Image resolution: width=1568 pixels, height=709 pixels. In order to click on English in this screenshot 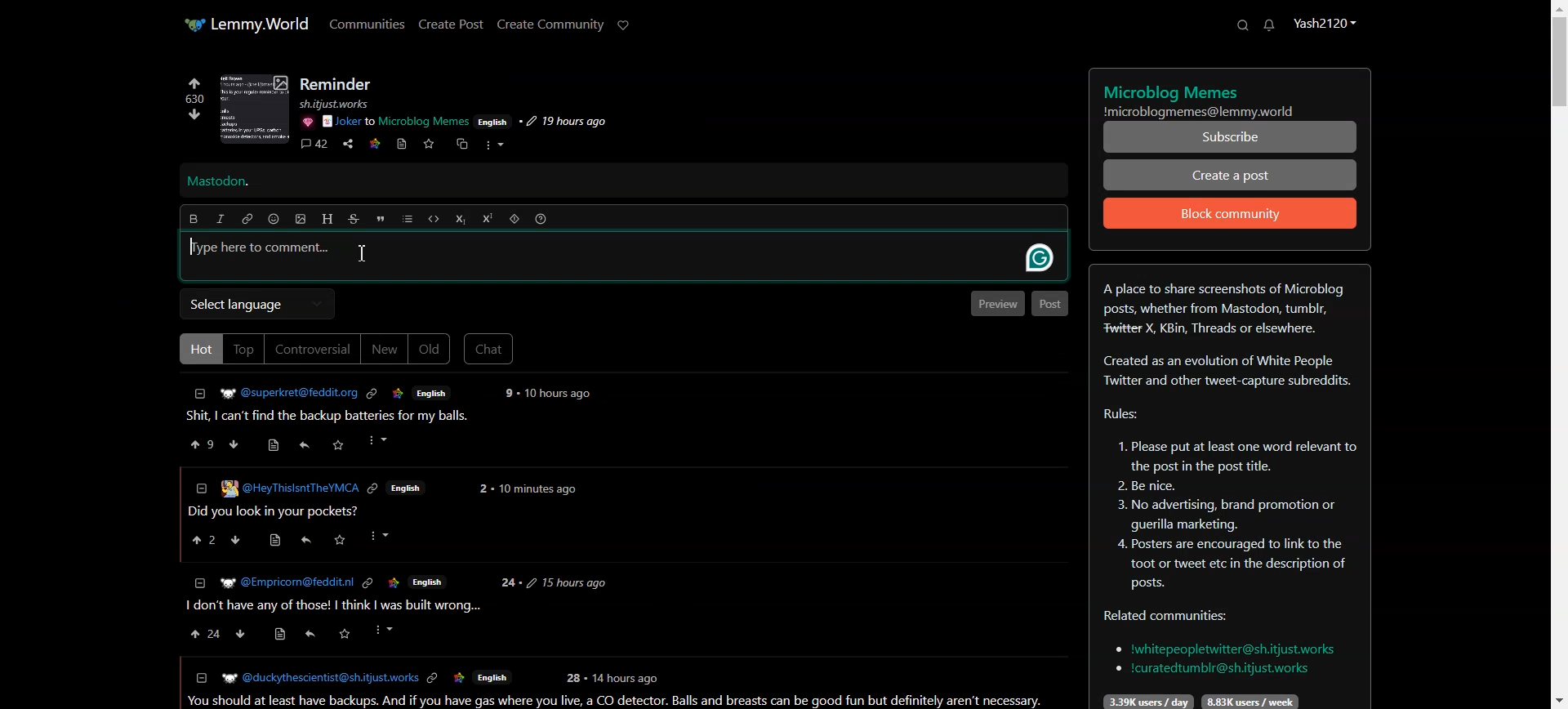, I will do `click(492, 679)`.